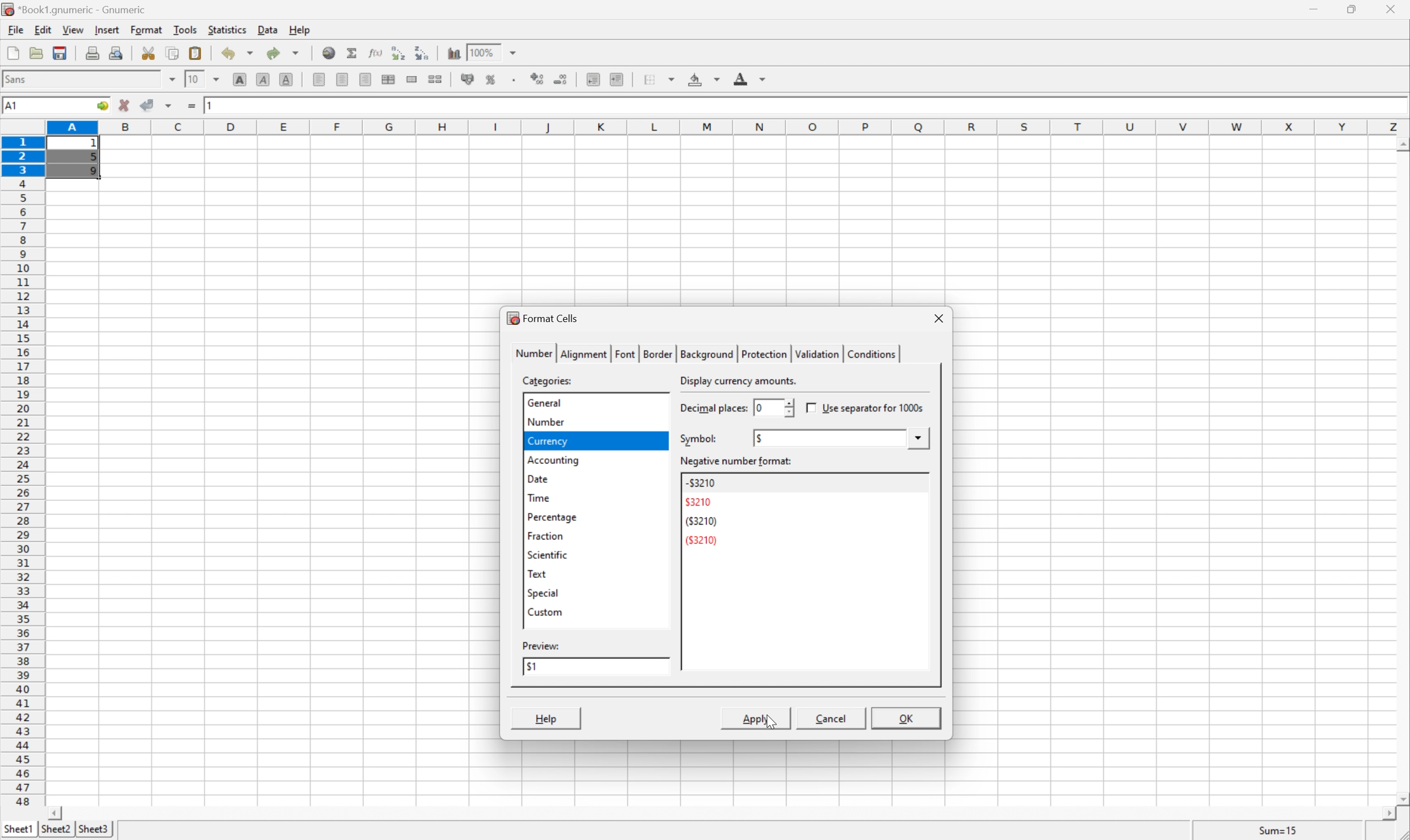 This screenshot has height=840, width=1410. What do you see at coordinates (866, 408) in the screenshot?
I see `use separator for 1000s` at bounding box center [866, 408].